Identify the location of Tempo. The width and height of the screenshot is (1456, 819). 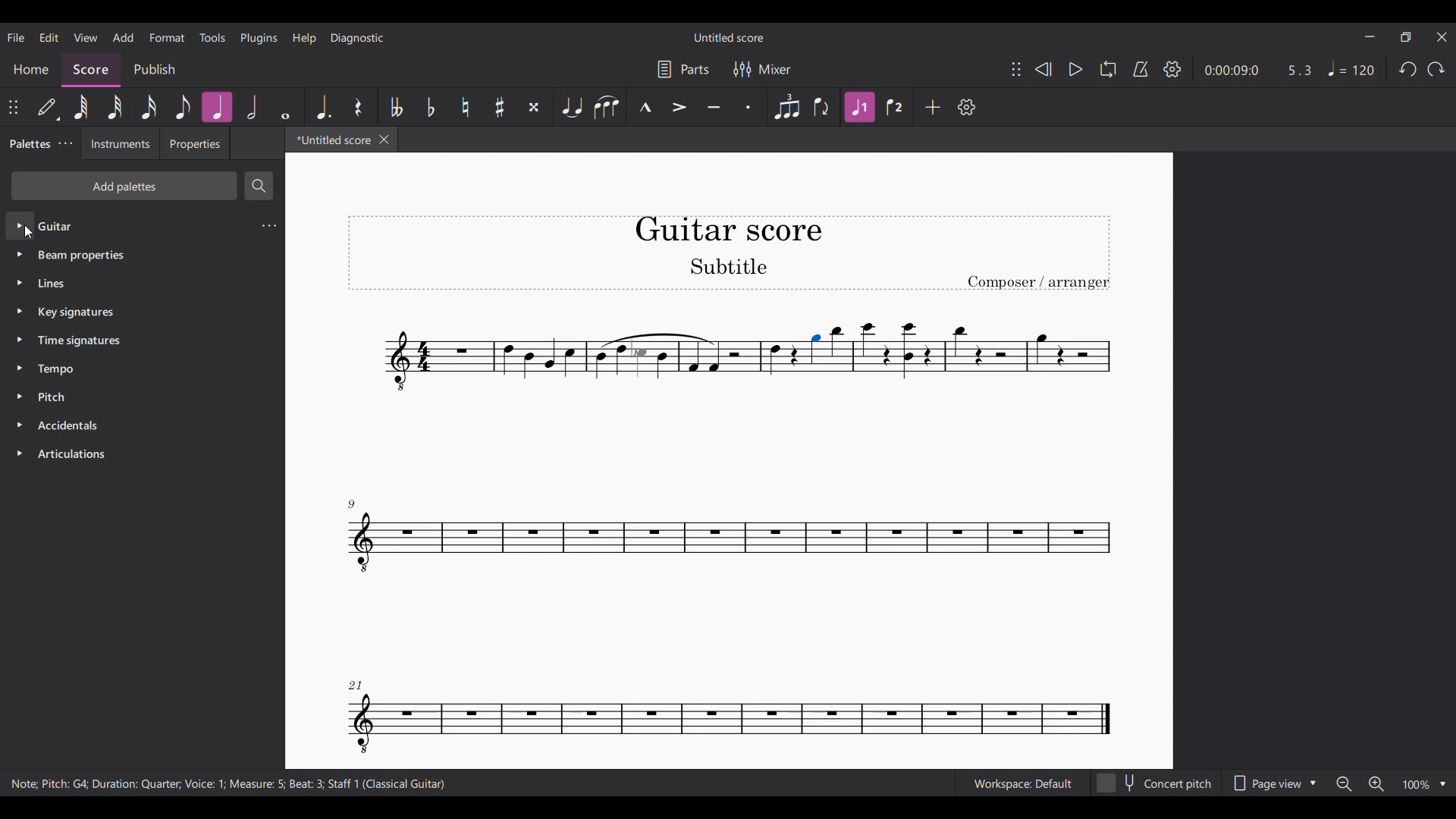
(56, 370).